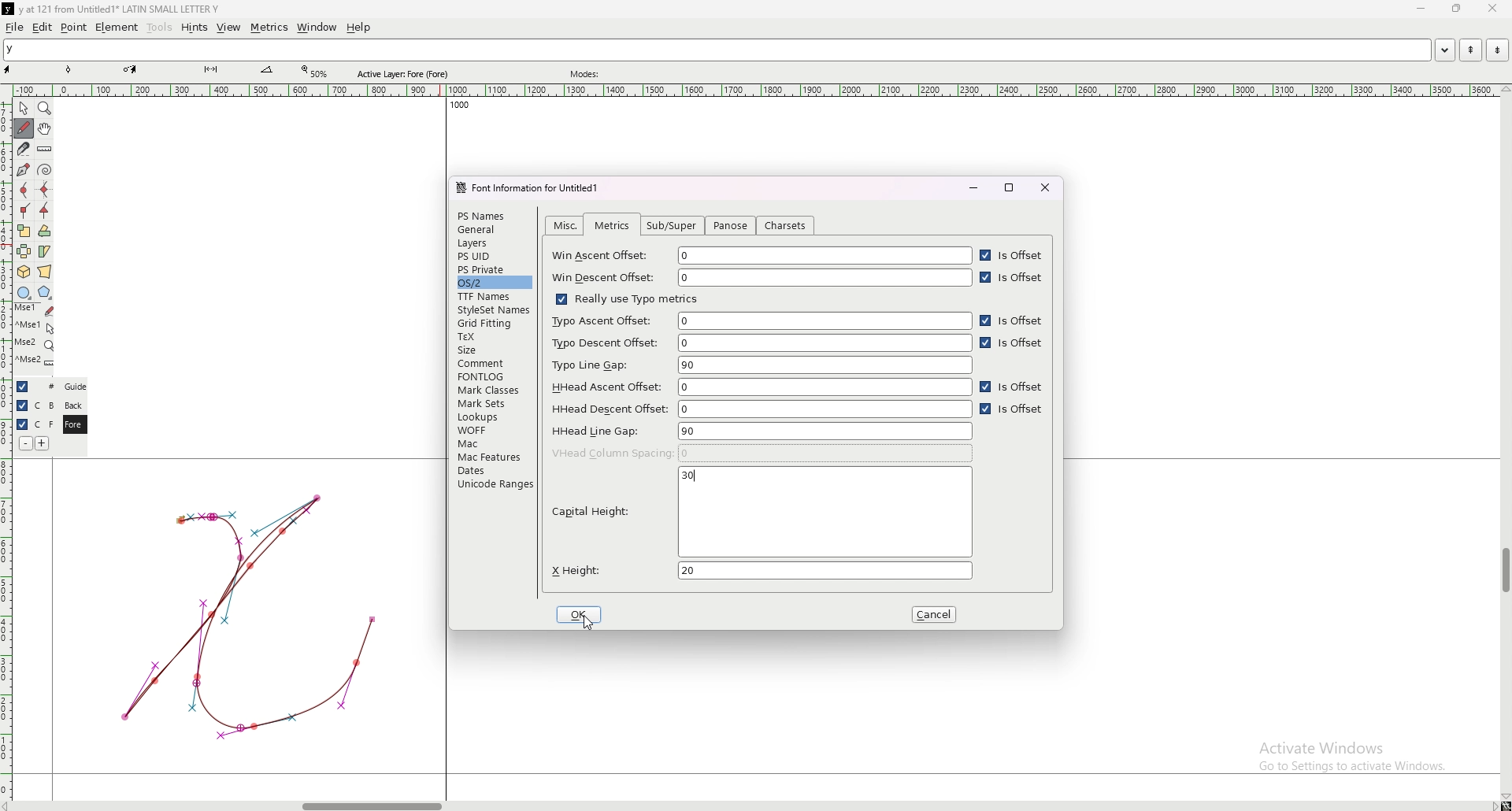 This screenshot has width=1512, height=811. I want to click on mse 2, so click(35, 362).